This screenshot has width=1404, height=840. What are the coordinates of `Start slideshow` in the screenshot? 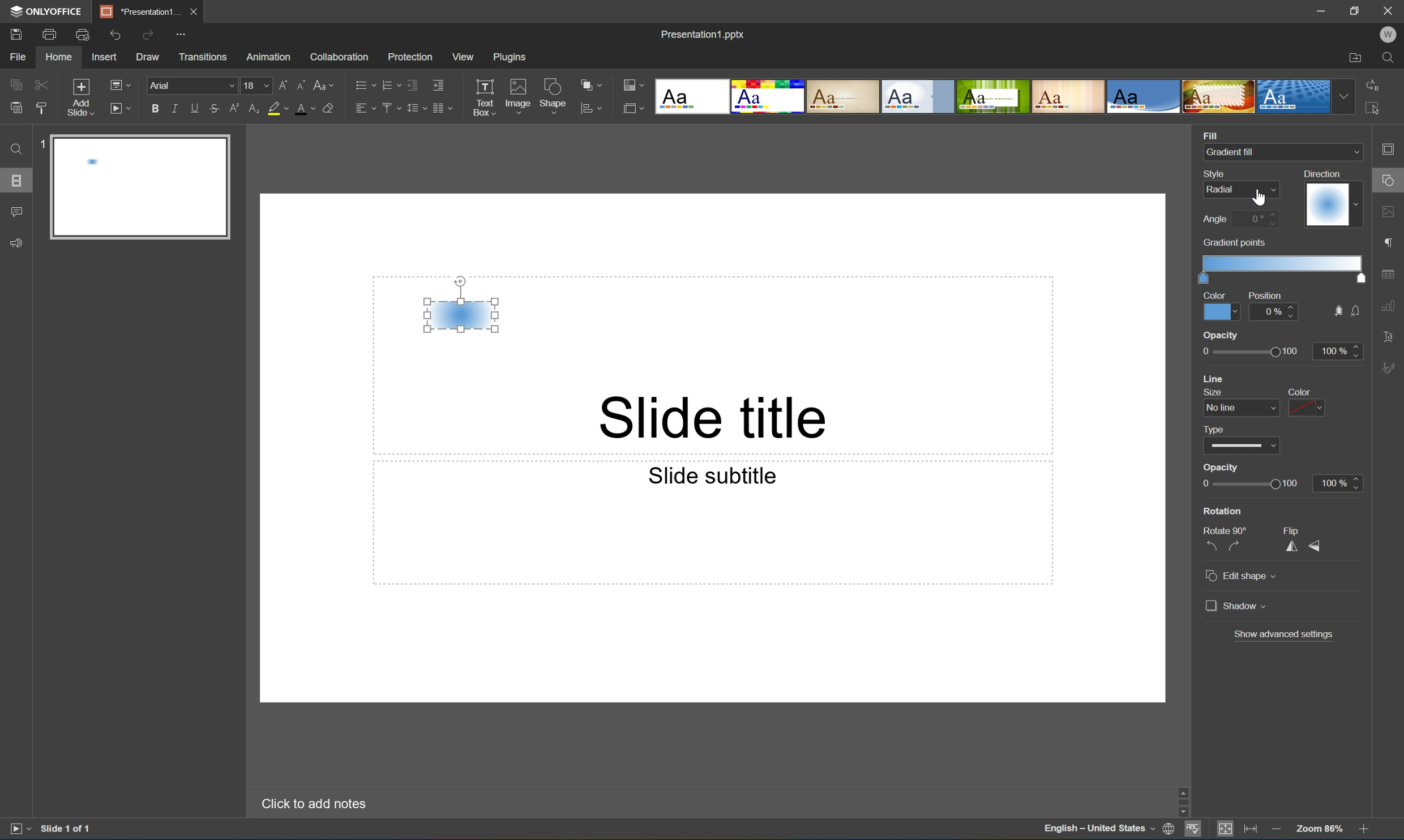 It's located at (19, 828).